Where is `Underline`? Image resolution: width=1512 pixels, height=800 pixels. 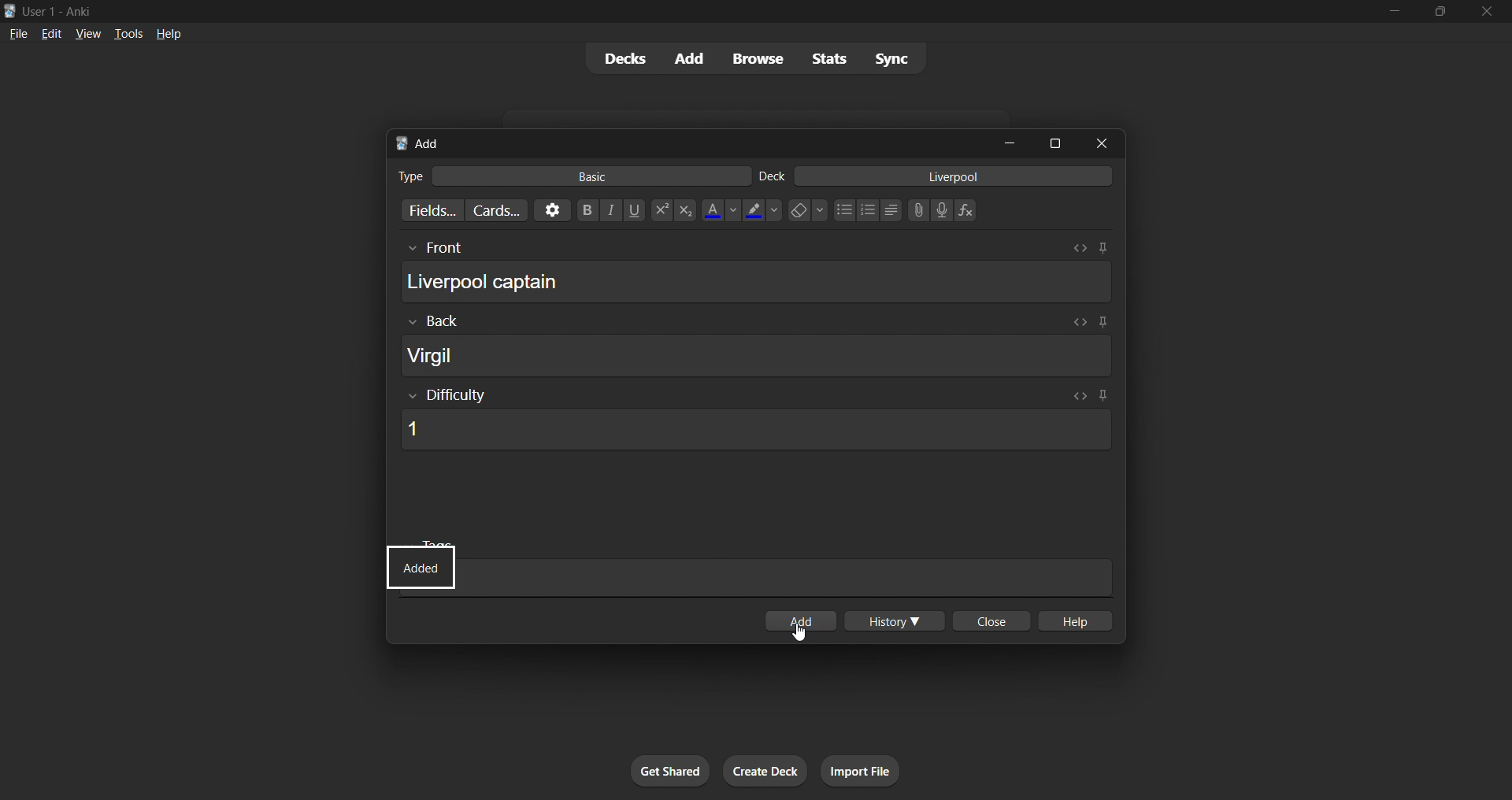
Underline is located at coordinates (634, 210).